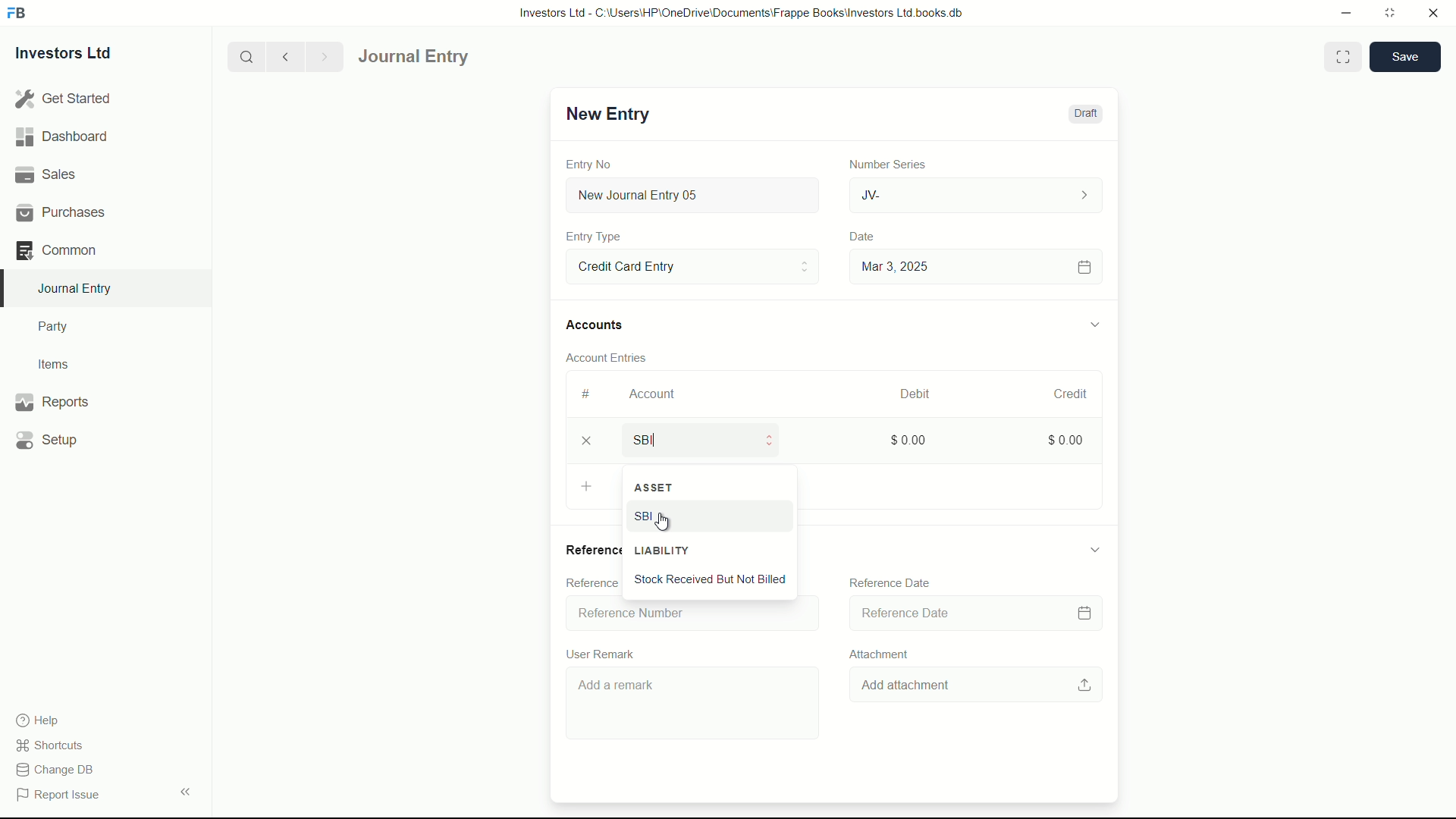 The height and width of the screenshot is (819, 1456). Describe the element at coordinates (653, 394) in the screenshot. I see `Account` at that location.